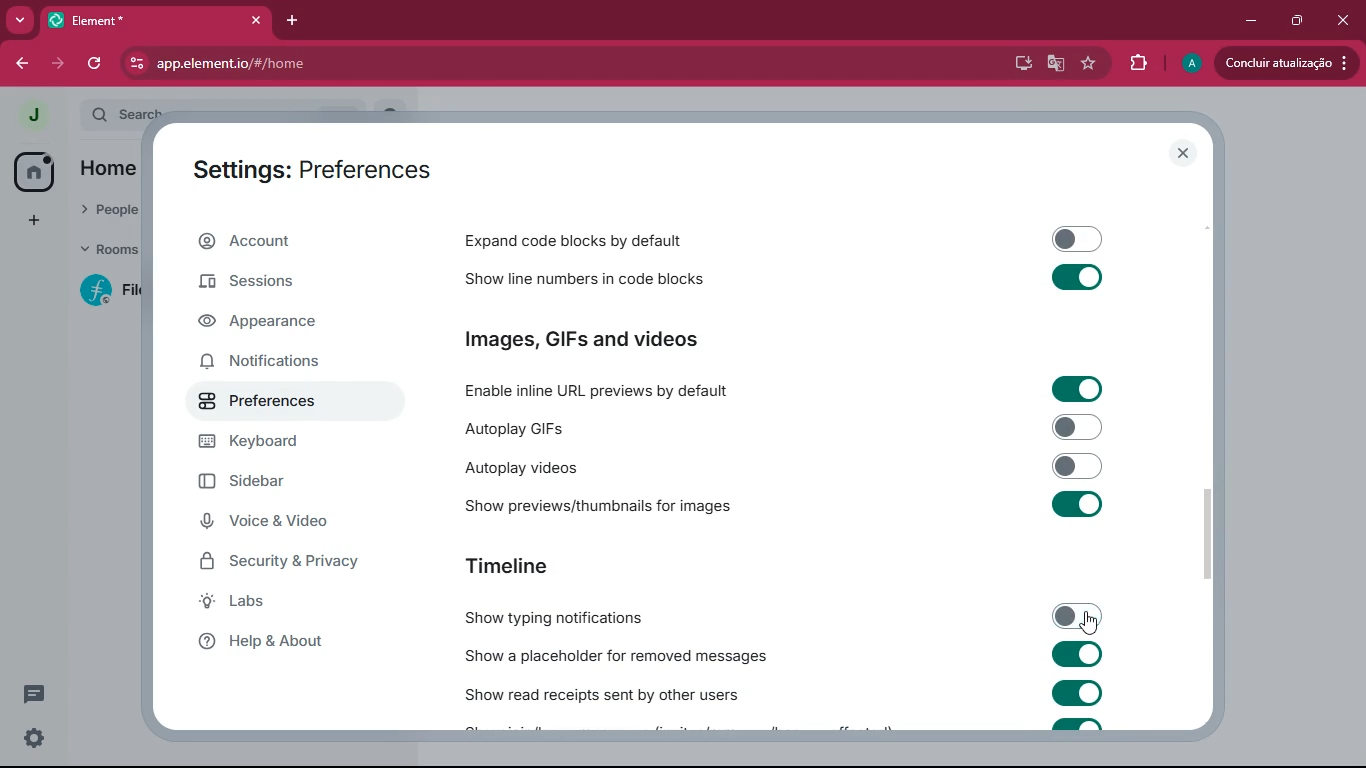 Image resolution: width=1366 pixels, height=768 pixels. Describe the element at coordinates (34, 115) in the screenshot. I see `profile` at that location.